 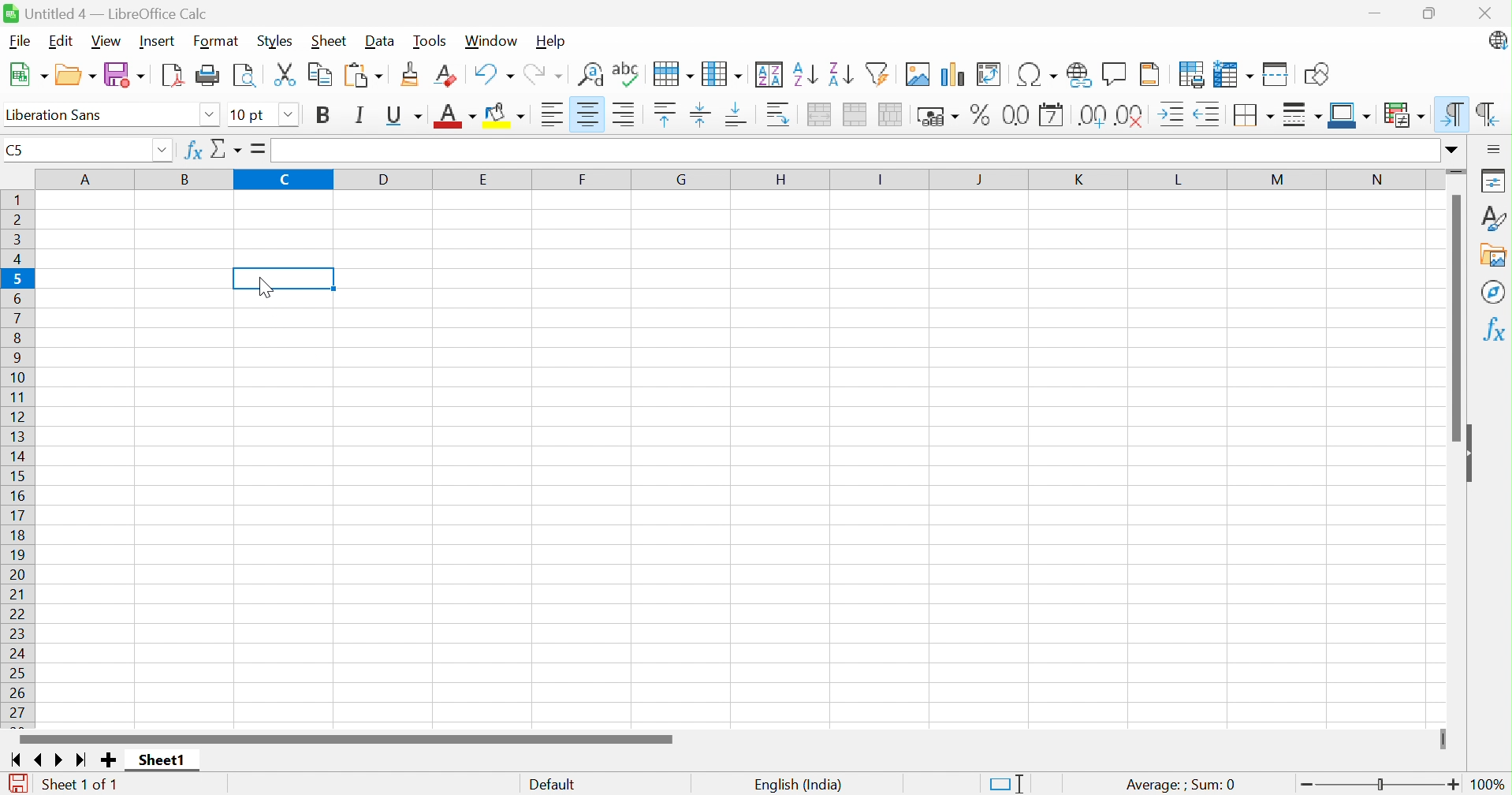 What do you see at coordinates (18, 42) in the screenshot?
I see `File` at bounding box center [18, 42].